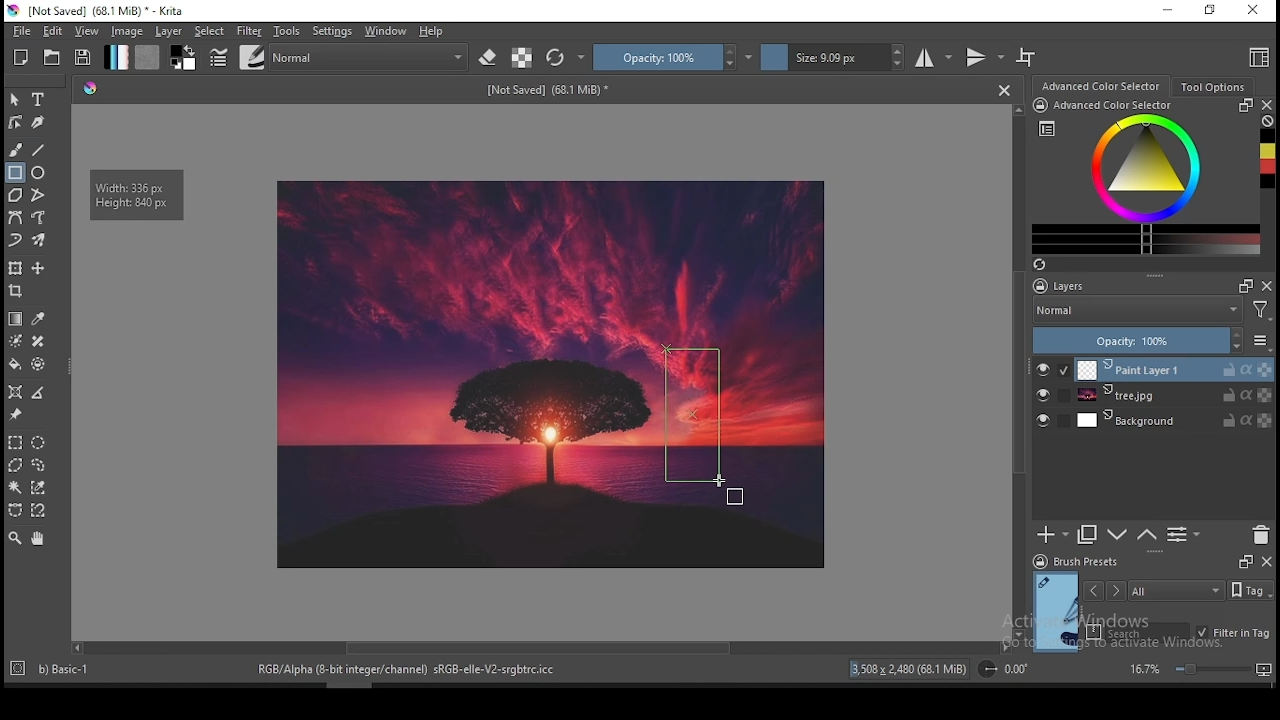 The width and height of the screenshot is (1280, 720). I want to click on smart patch tool, so click(38, 341).